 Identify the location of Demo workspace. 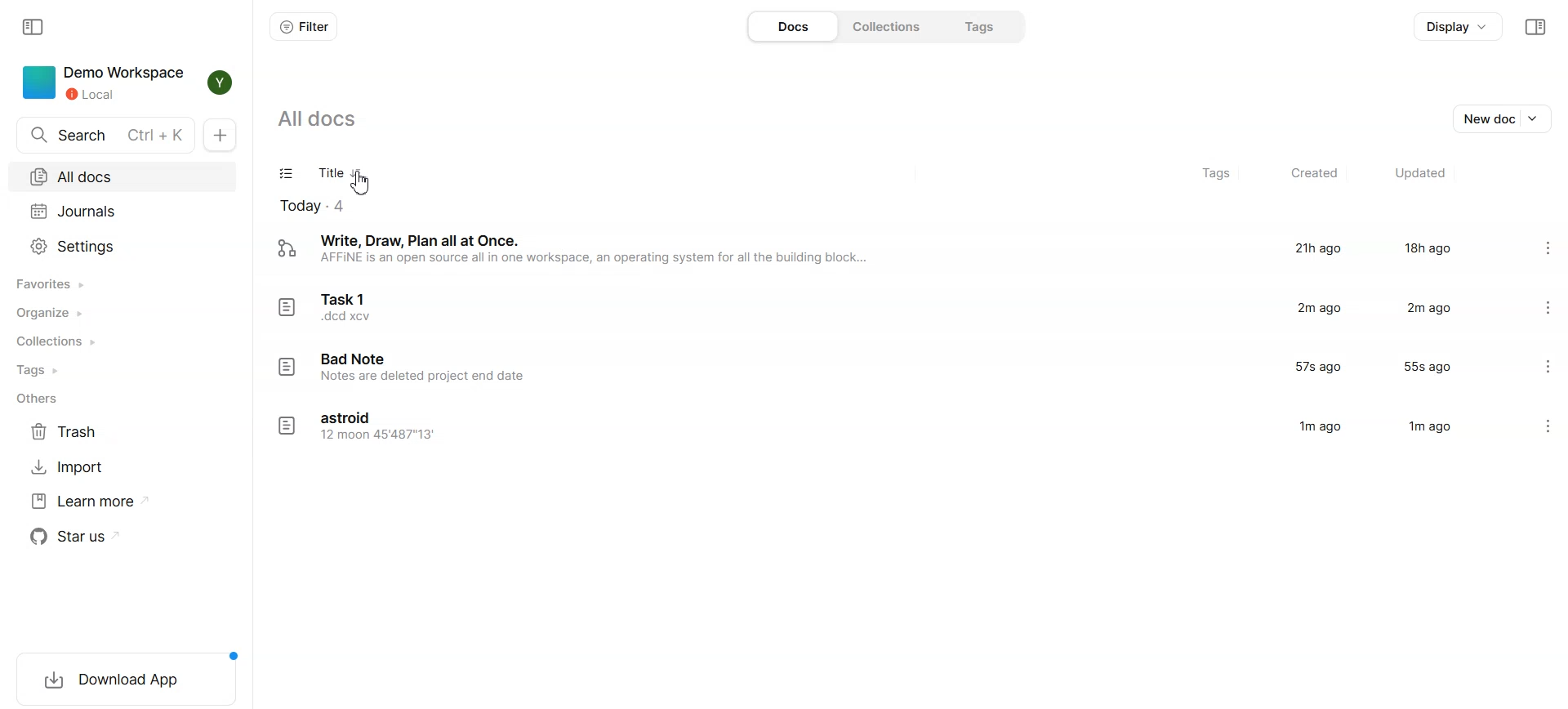
(105, 83).